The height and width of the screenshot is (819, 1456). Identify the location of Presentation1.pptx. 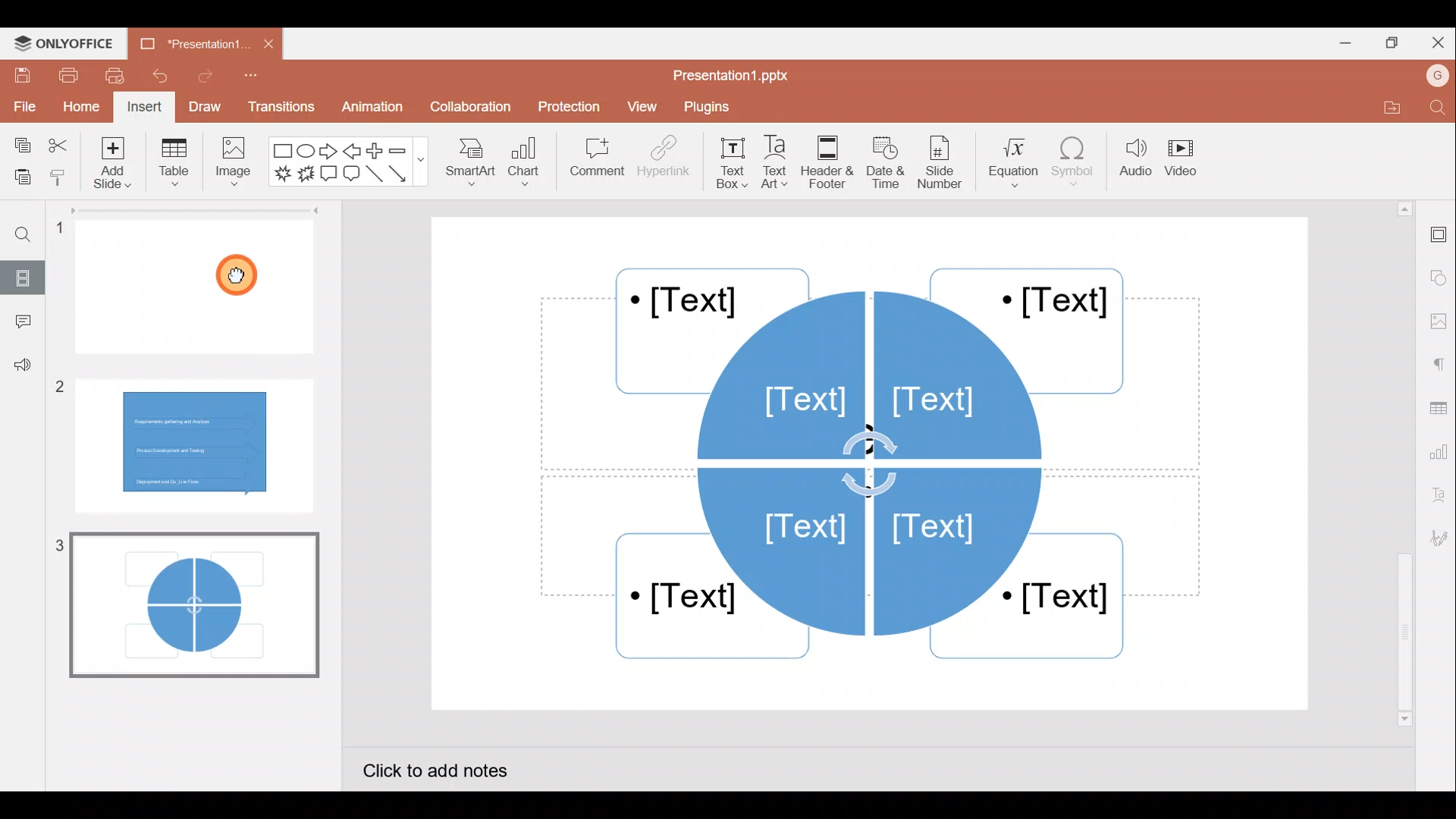
(738, 76).